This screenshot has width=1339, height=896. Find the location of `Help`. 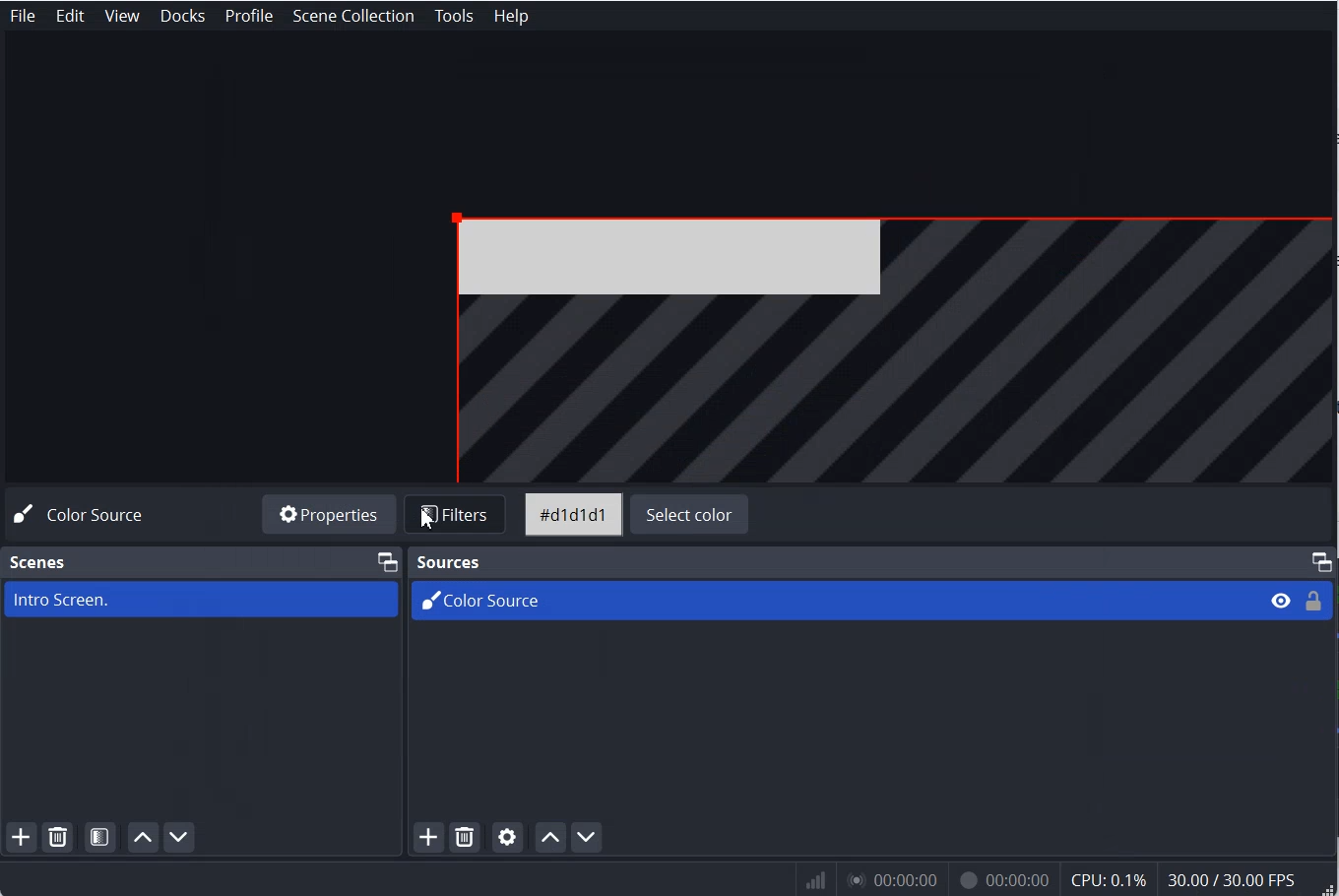

Help is located at coordinates (510, 15).